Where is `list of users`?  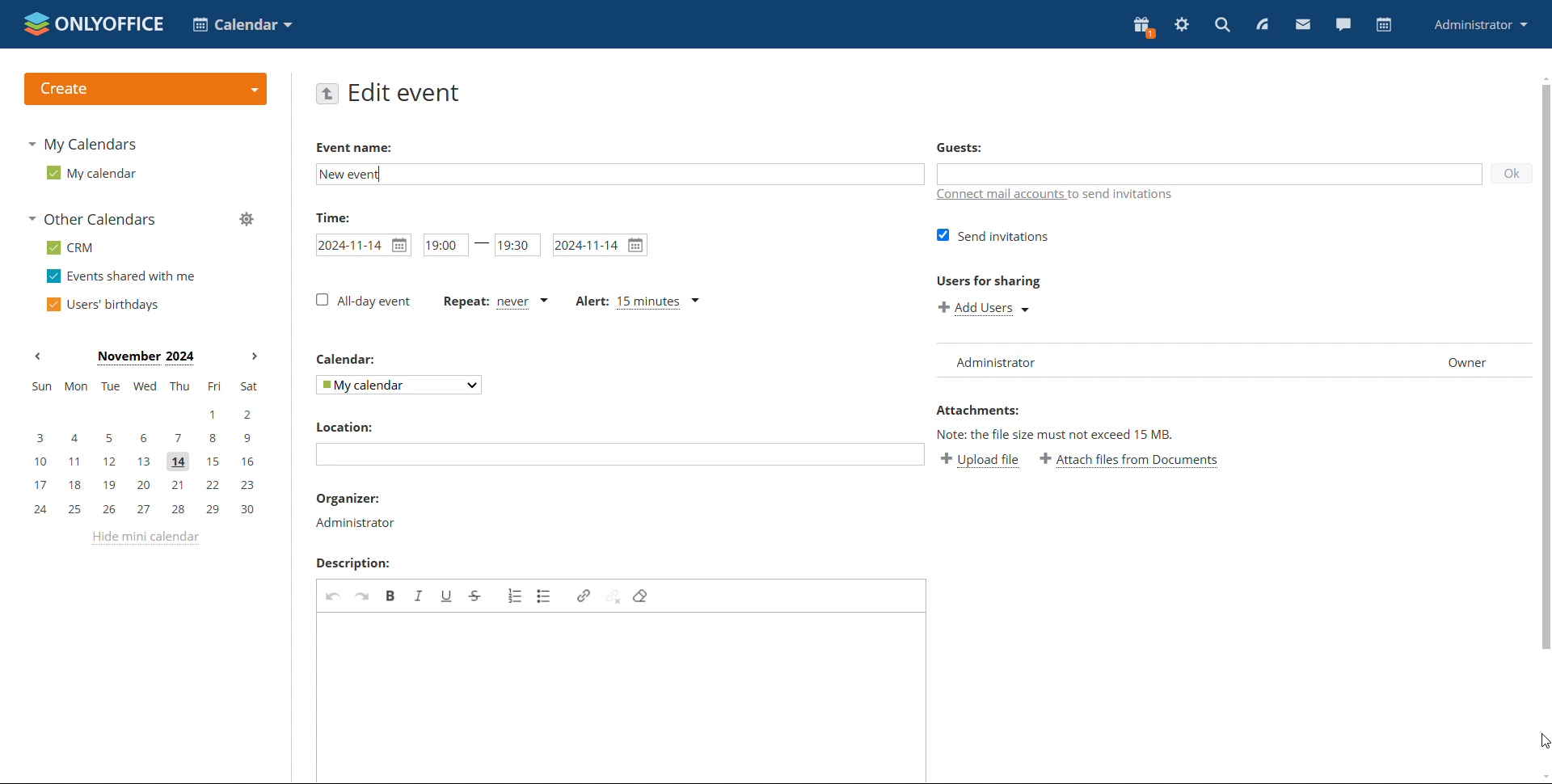 list of users is located at coordinates (1234, 361).